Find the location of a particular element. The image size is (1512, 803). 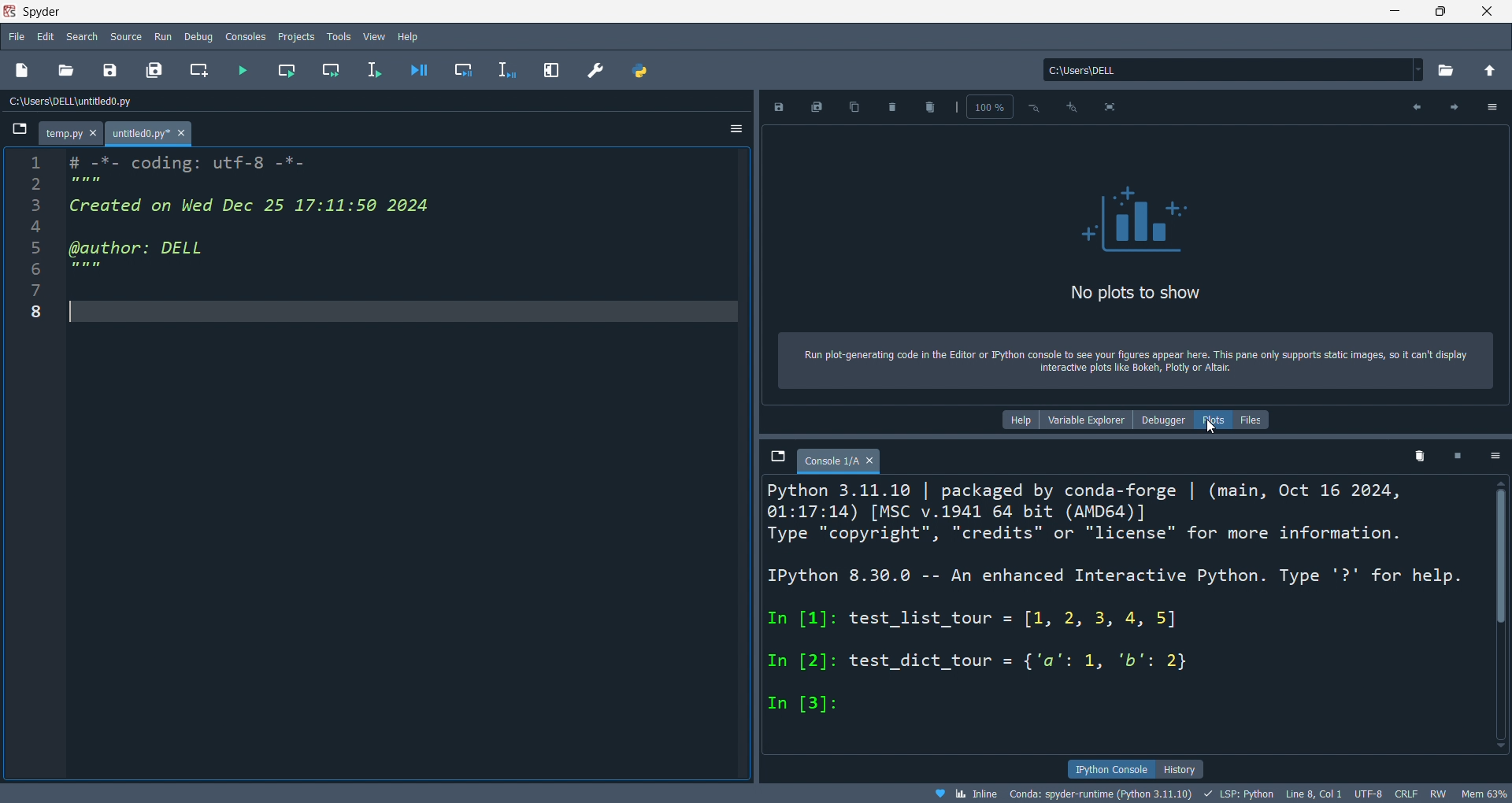

crlf is located at coordinates (1405, 793).